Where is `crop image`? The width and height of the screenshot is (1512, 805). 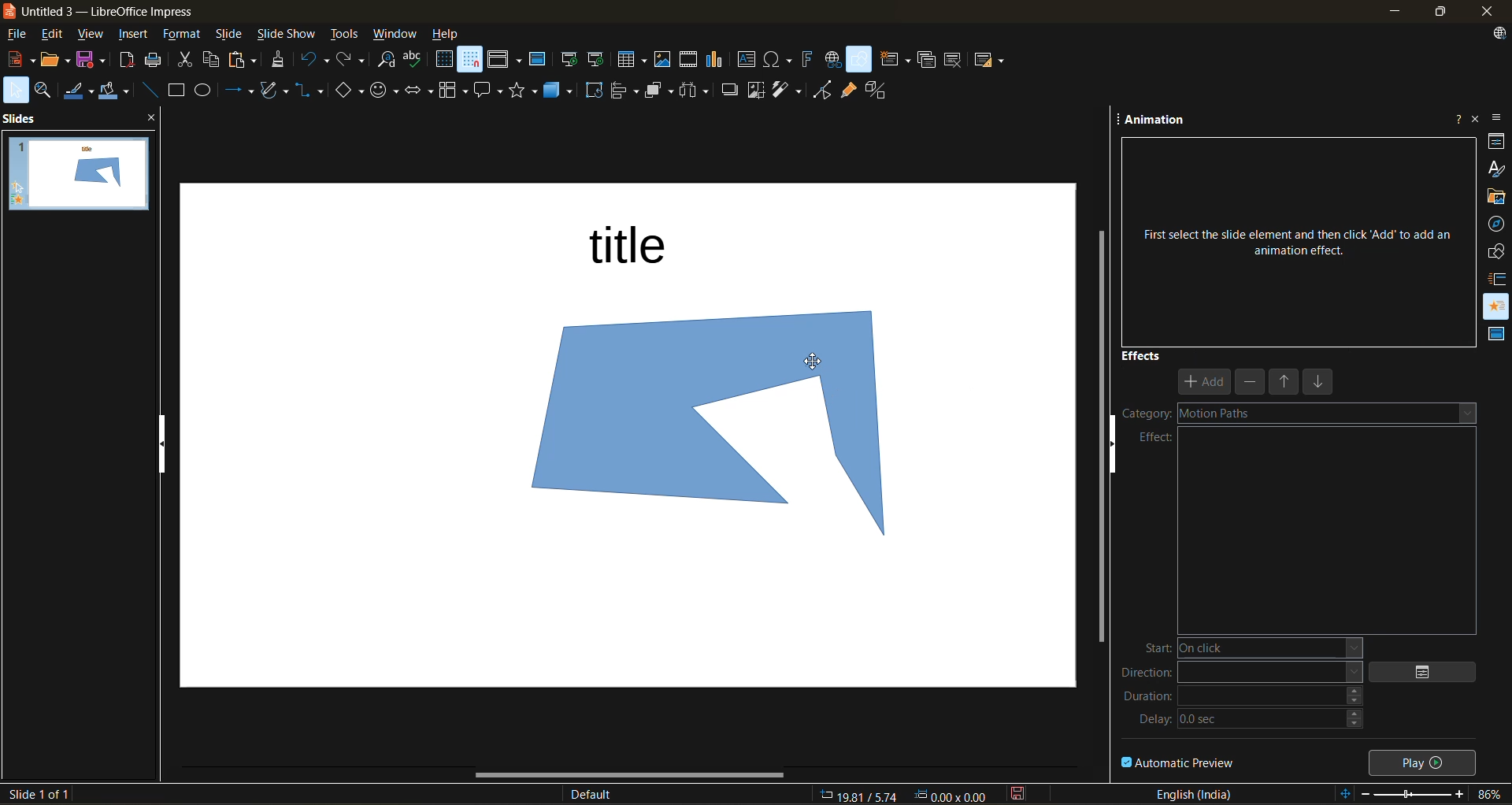 crop image is located at coordinates (754, 91).